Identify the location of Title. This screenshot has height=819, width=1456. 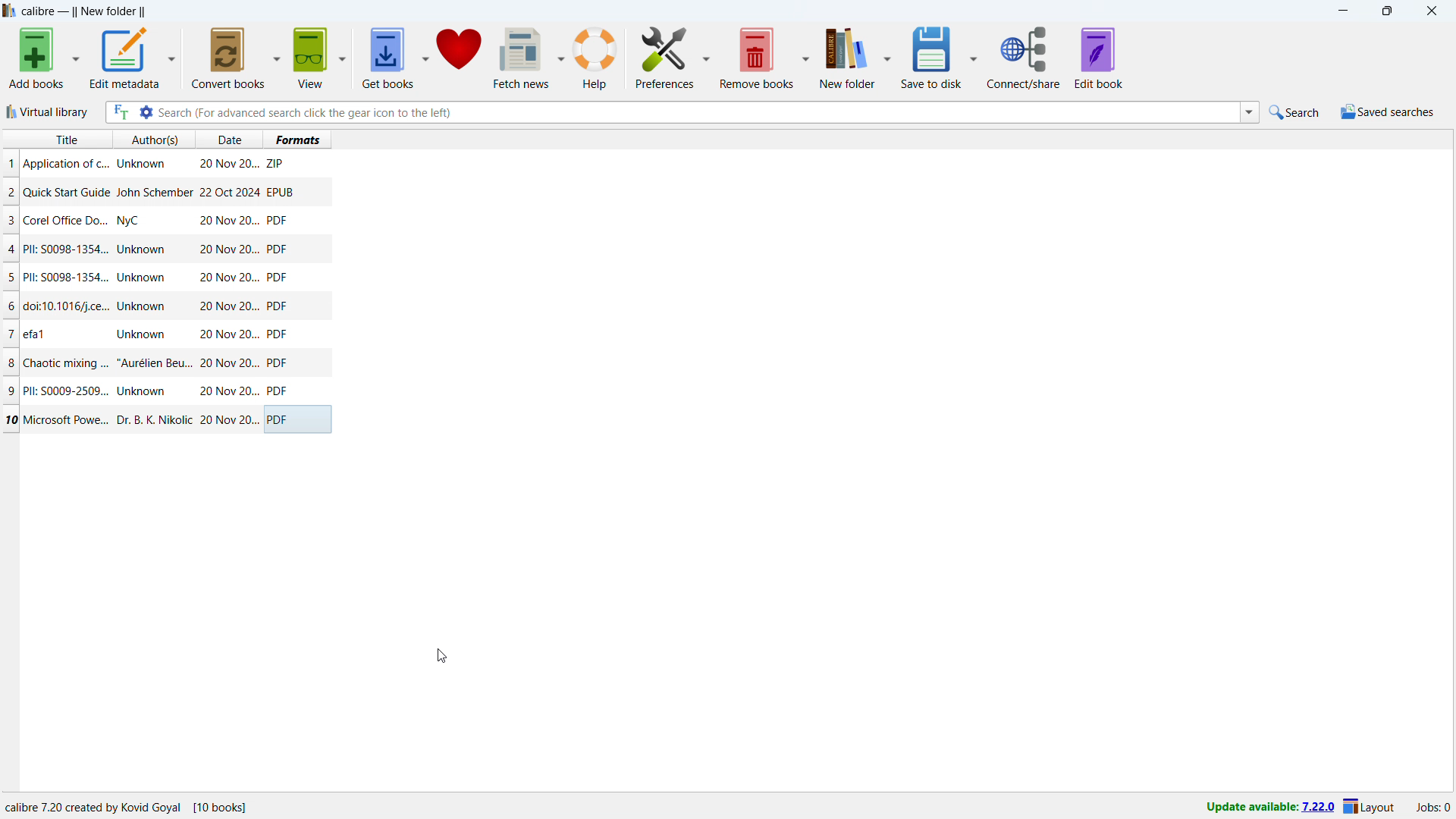
(67, 140).